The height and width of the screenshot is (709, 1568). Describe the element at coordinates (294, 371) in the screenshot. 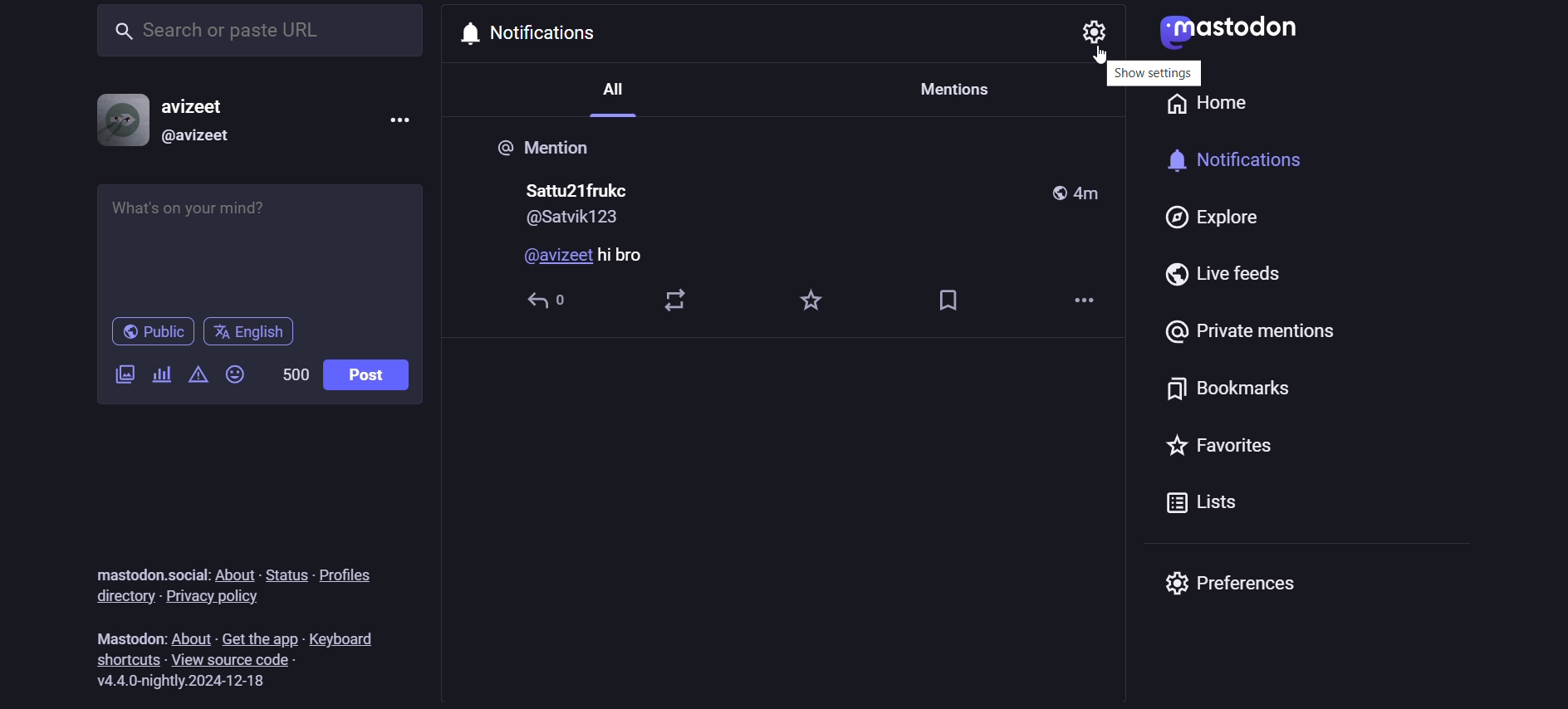

I see `500` at that location.